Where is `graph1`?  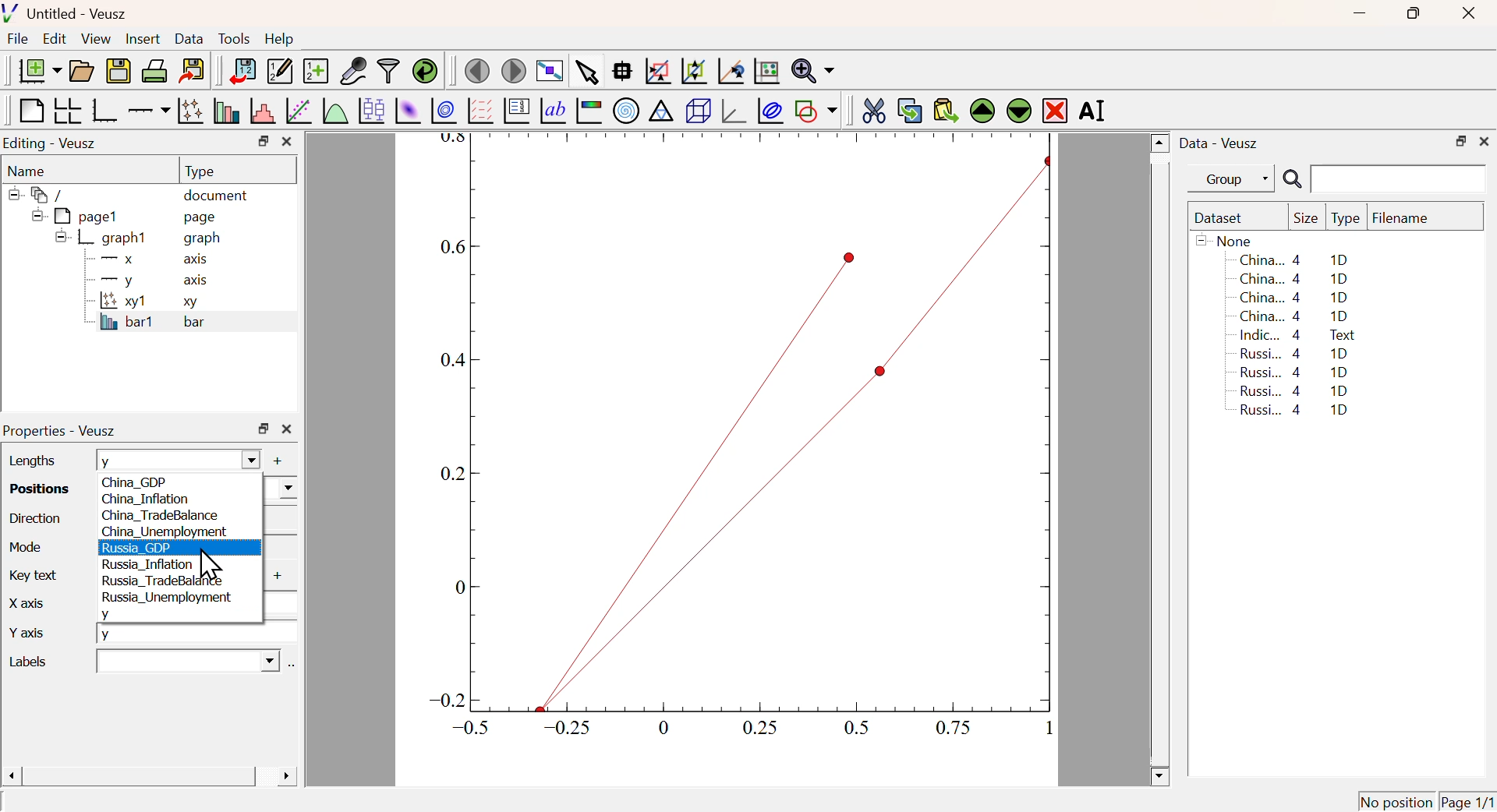
graph1 is located at coordinates (103, 237).